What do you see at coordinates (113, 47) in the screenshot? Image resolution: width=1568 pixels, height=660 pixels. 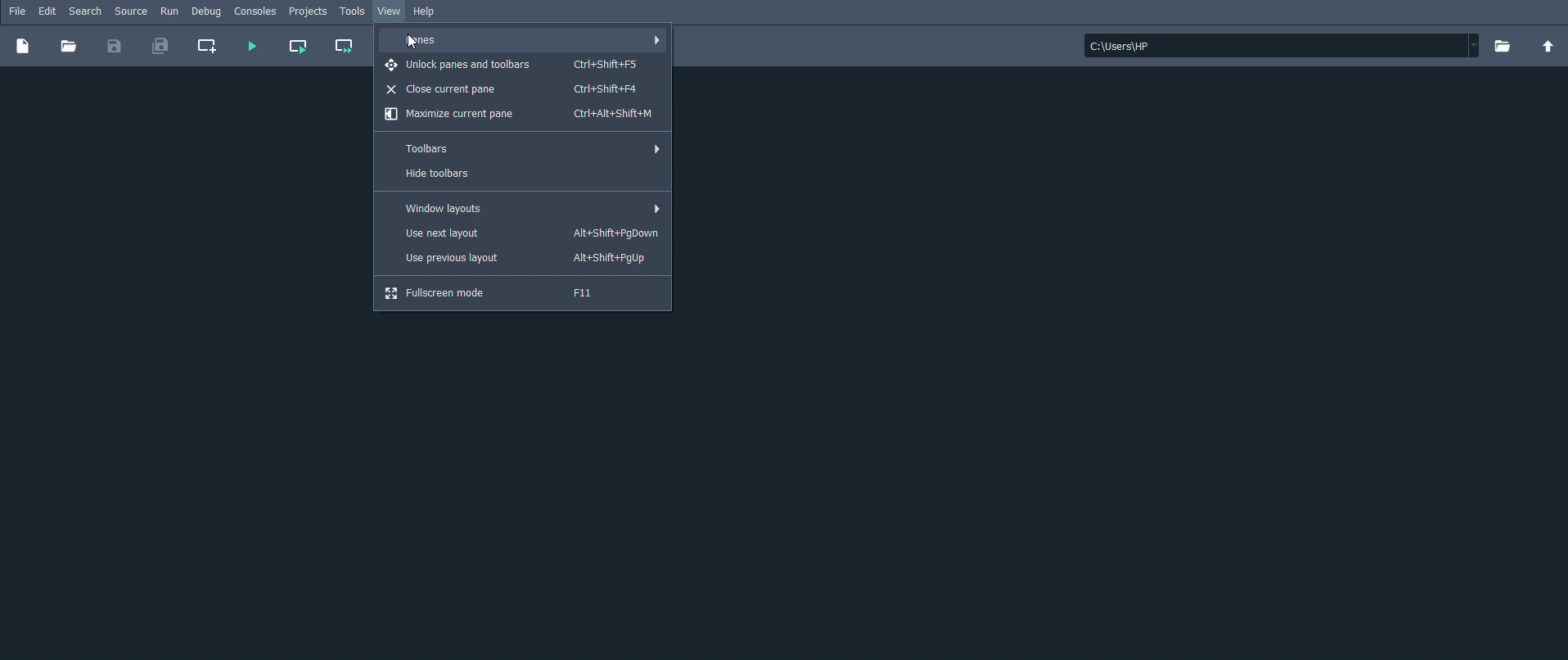 I see `Save file` at bounding box center [113, 47].